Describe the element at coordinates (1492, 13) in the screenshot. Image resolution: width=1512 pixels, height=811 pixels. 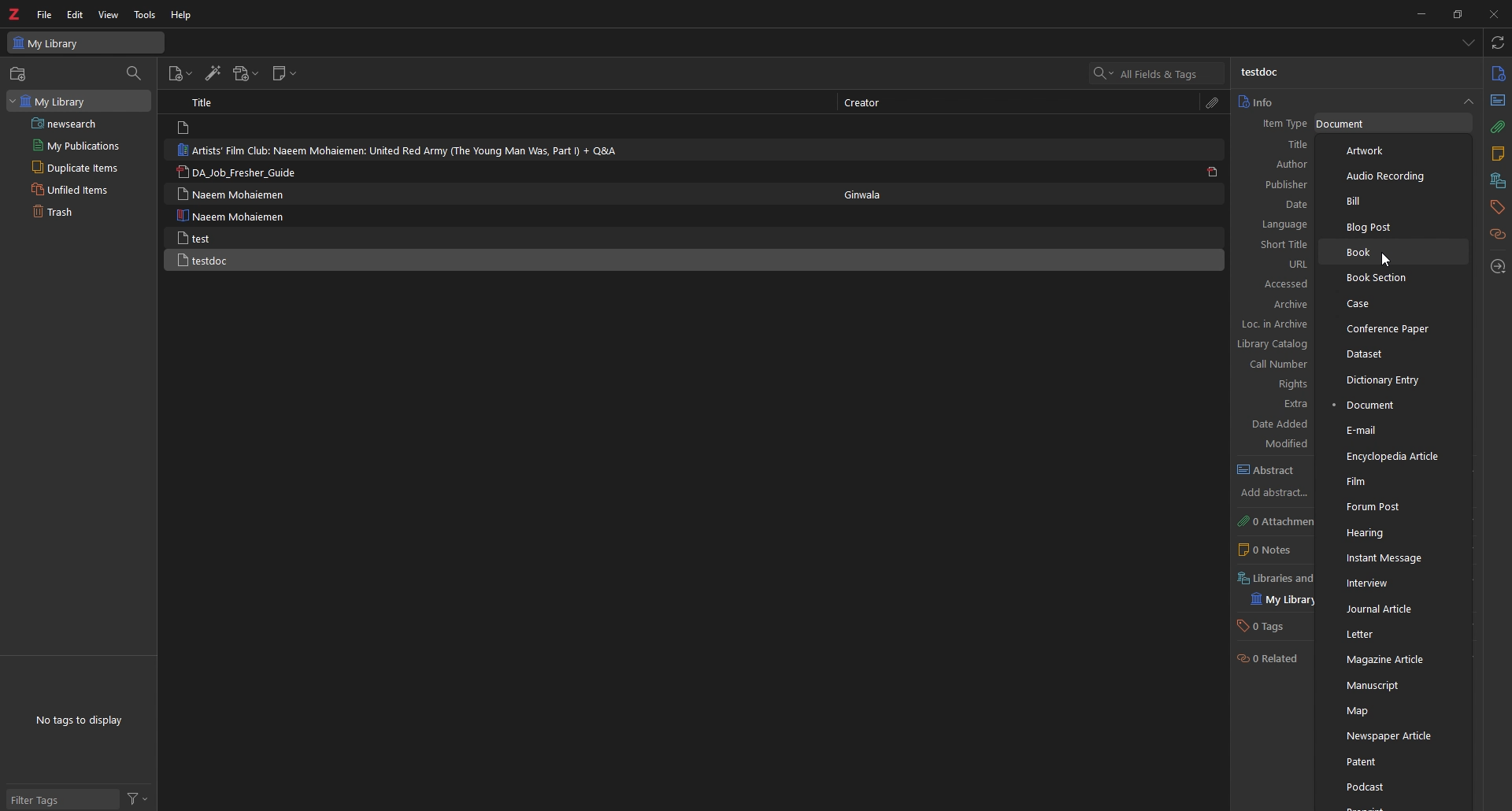
I see `close` at that location.